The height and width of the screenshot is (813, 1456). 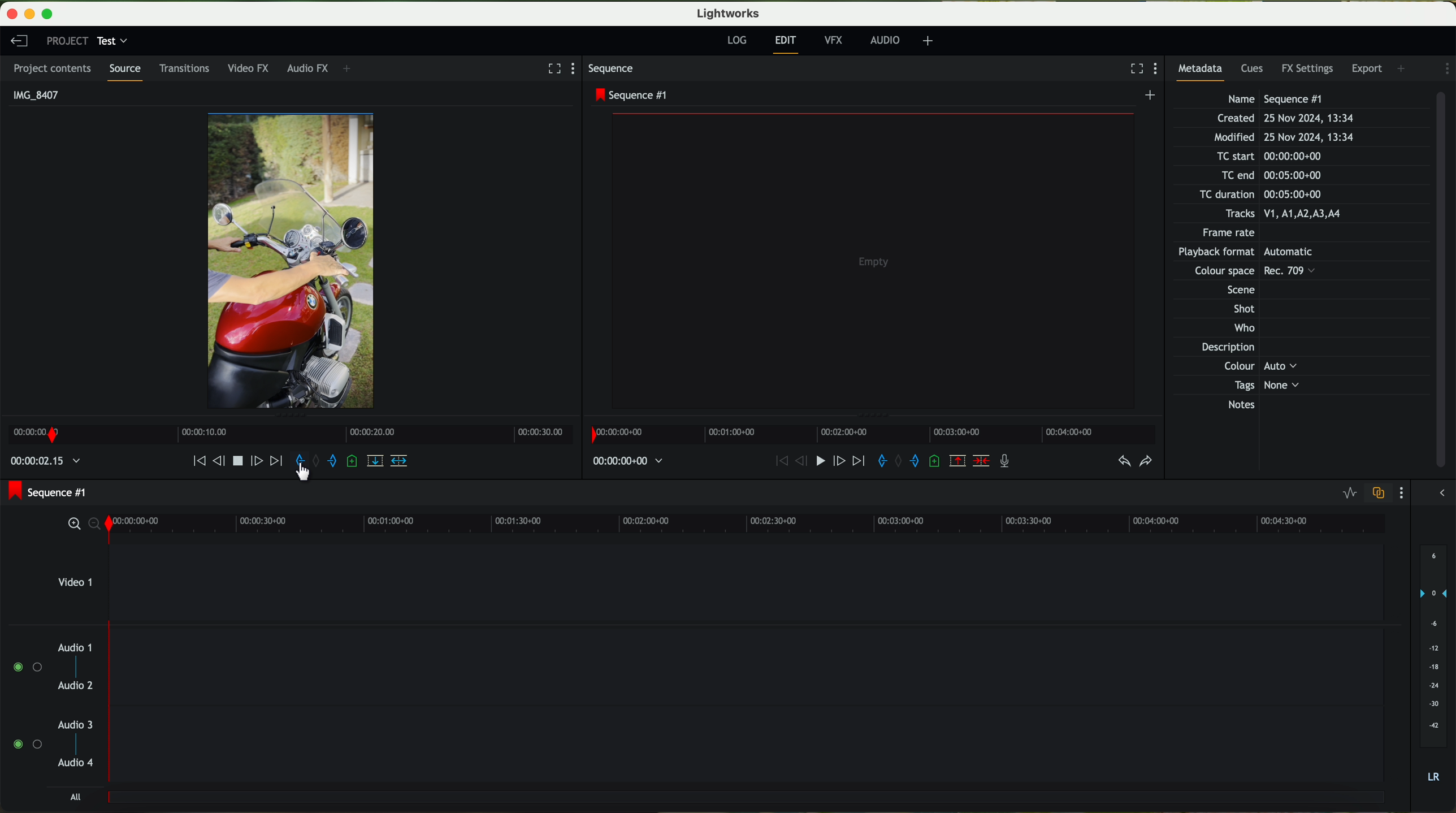 I want to click on create a new sequence, so click(x=1151, y=97).